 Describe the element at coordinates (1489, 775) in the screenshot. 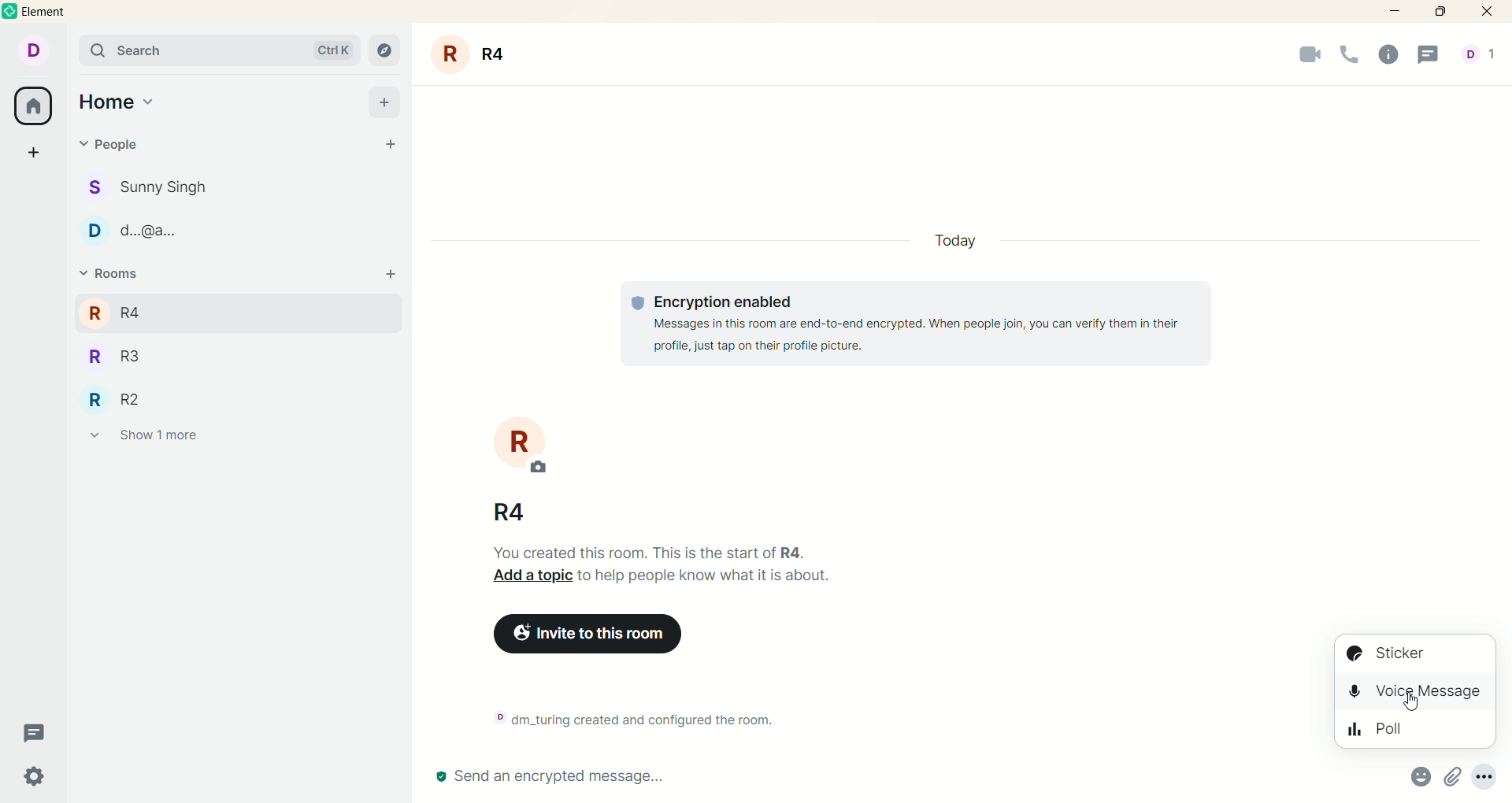

I see `more options` at that location.